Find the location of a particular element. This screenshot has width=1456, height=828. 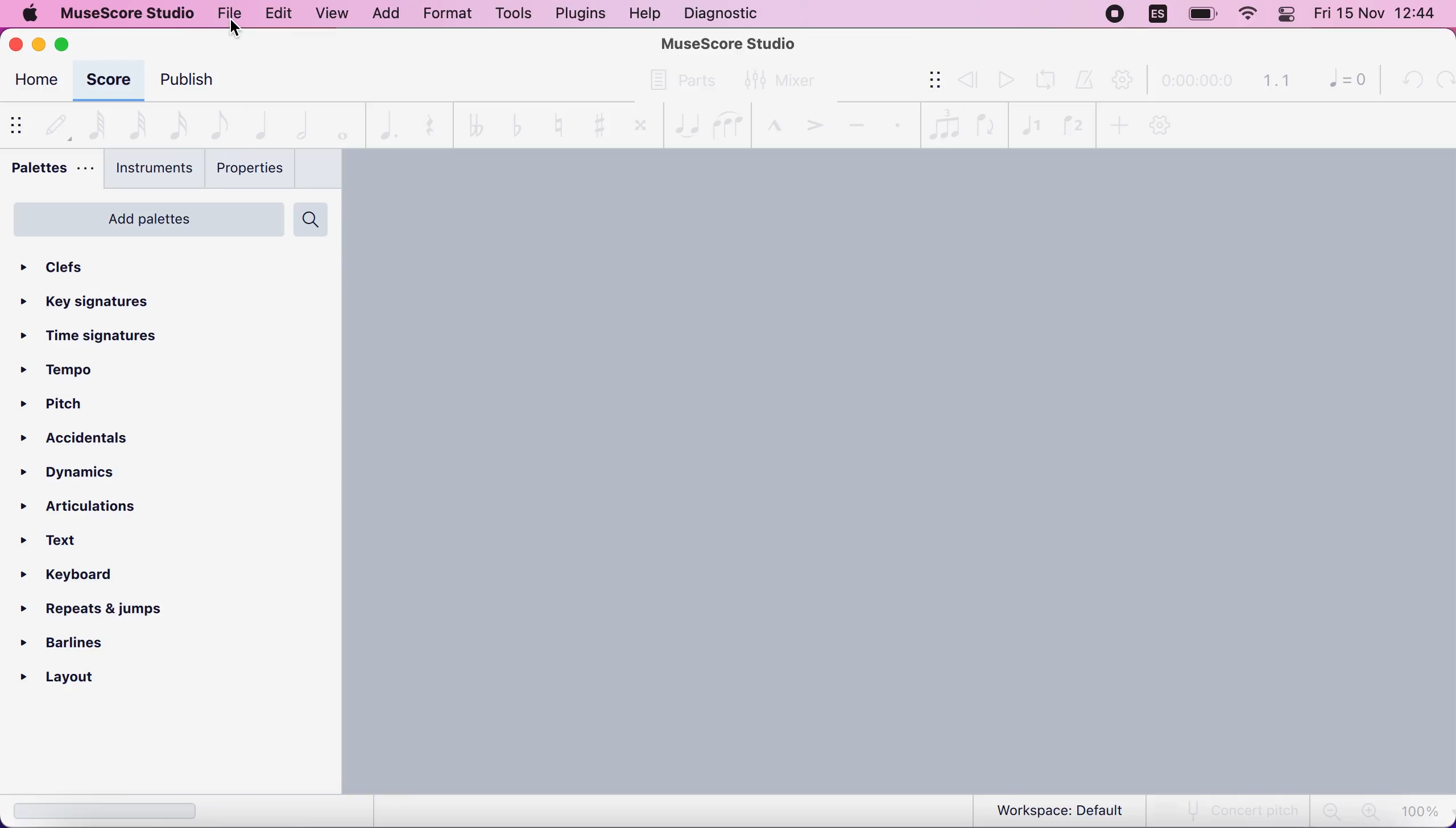

parts is located at coordinates (682, 78).